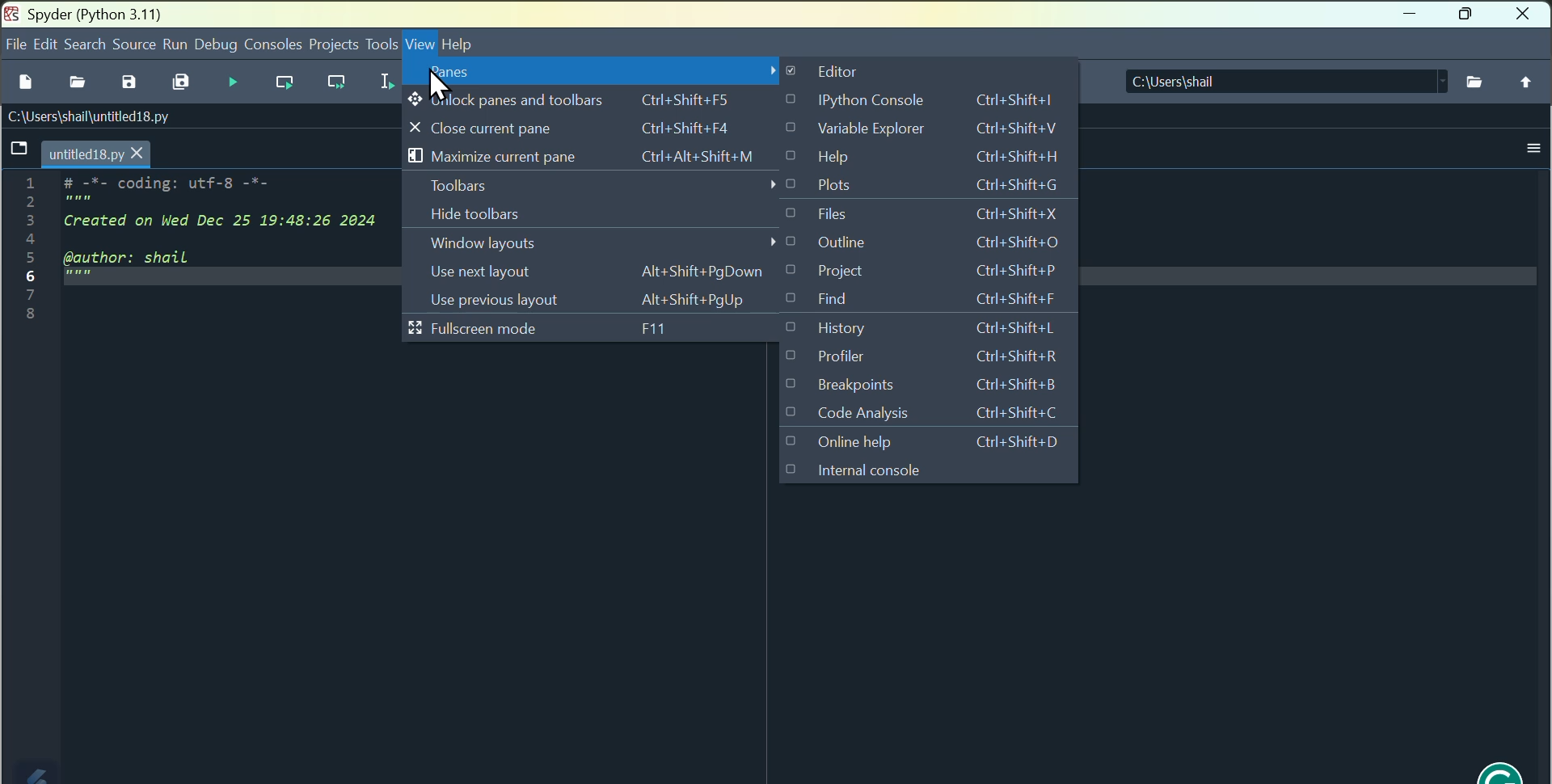  I want to click on Search, so click(82, 44).